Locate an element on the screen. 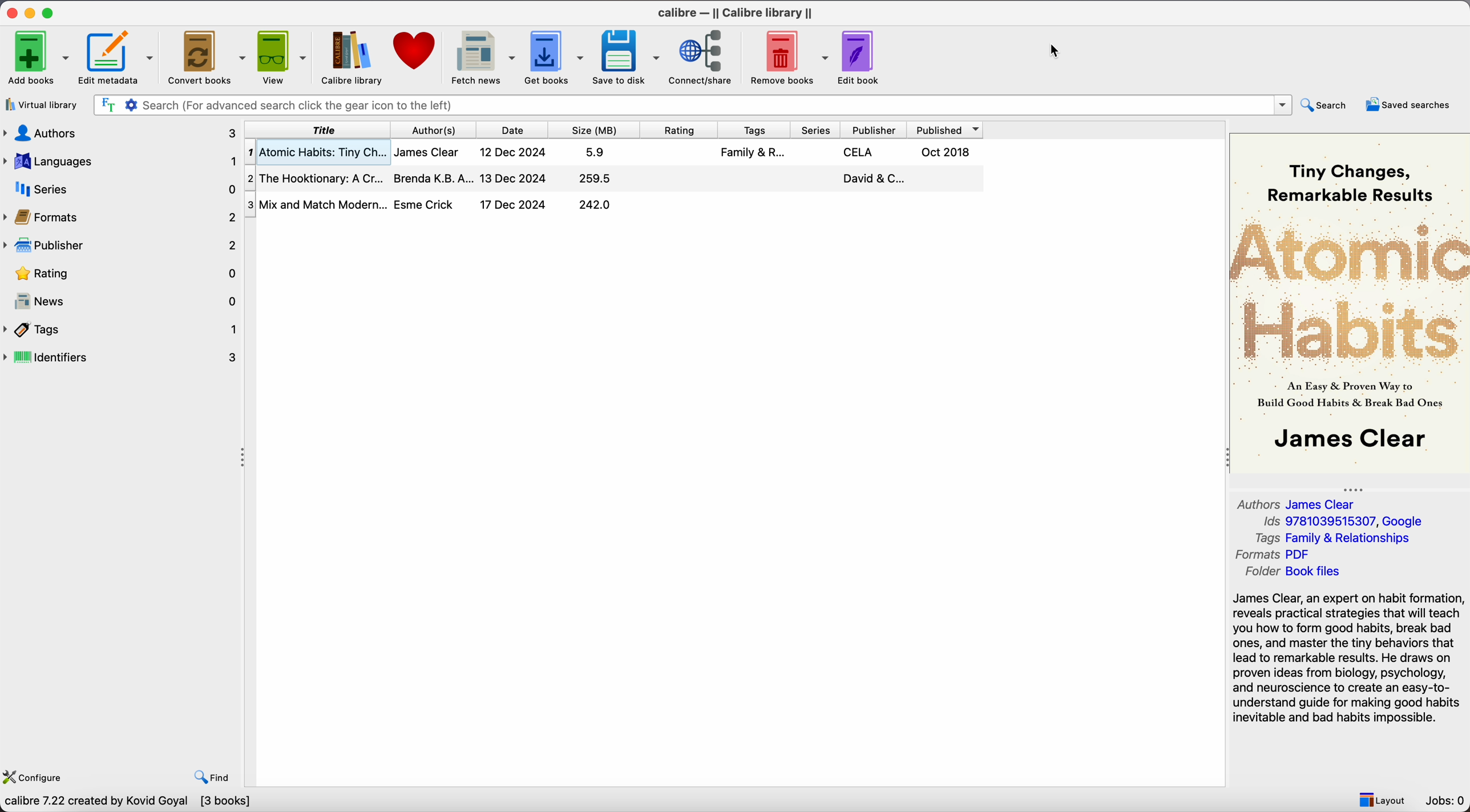  edit book is located at coordinates (860, 56).